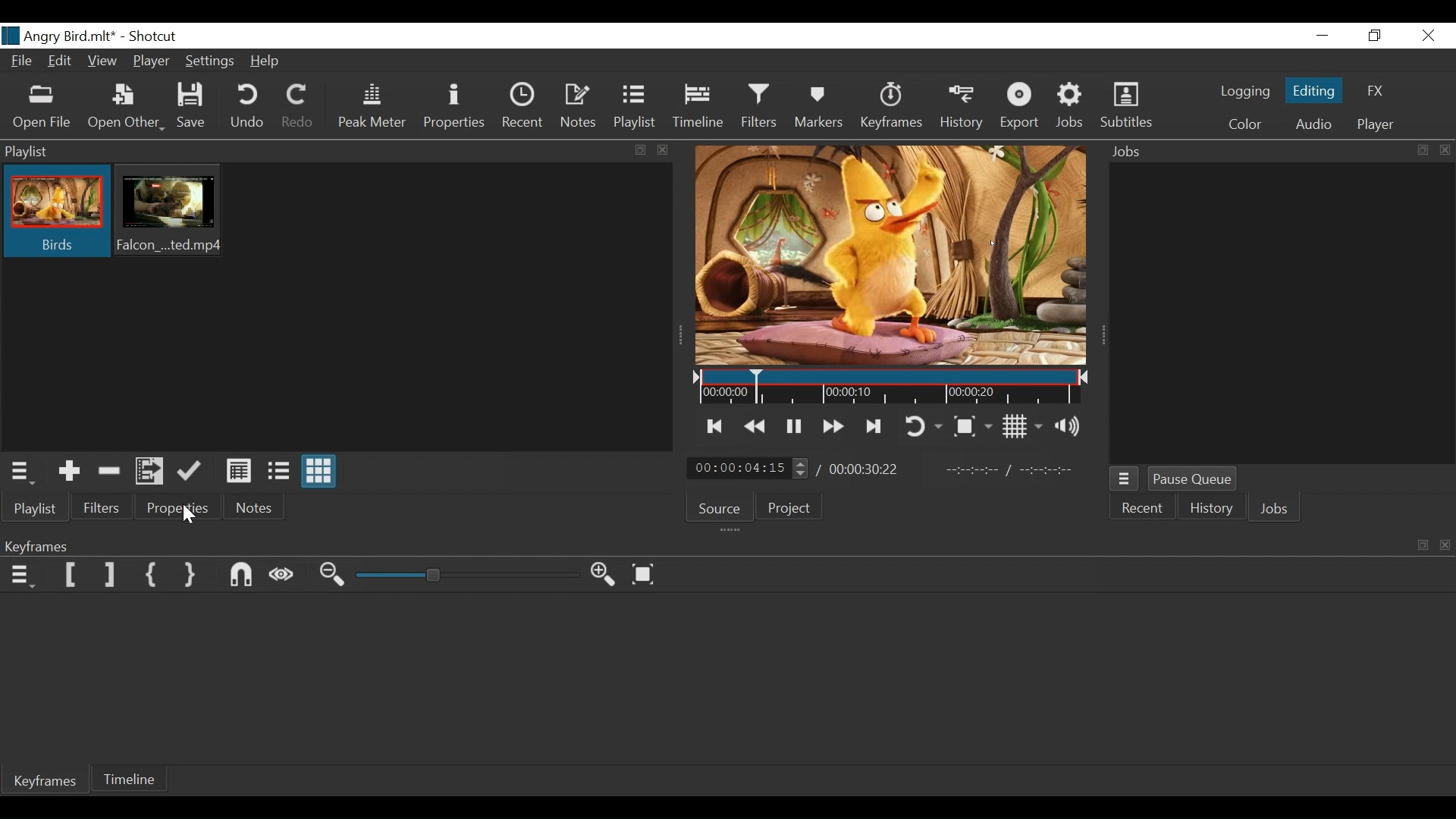 Image resolution: width=1456 pixels, height=819 pixels. What do you see at coordinates (794, 507) in the screenshot?
I see `Project` at bounding box center [794, 507].